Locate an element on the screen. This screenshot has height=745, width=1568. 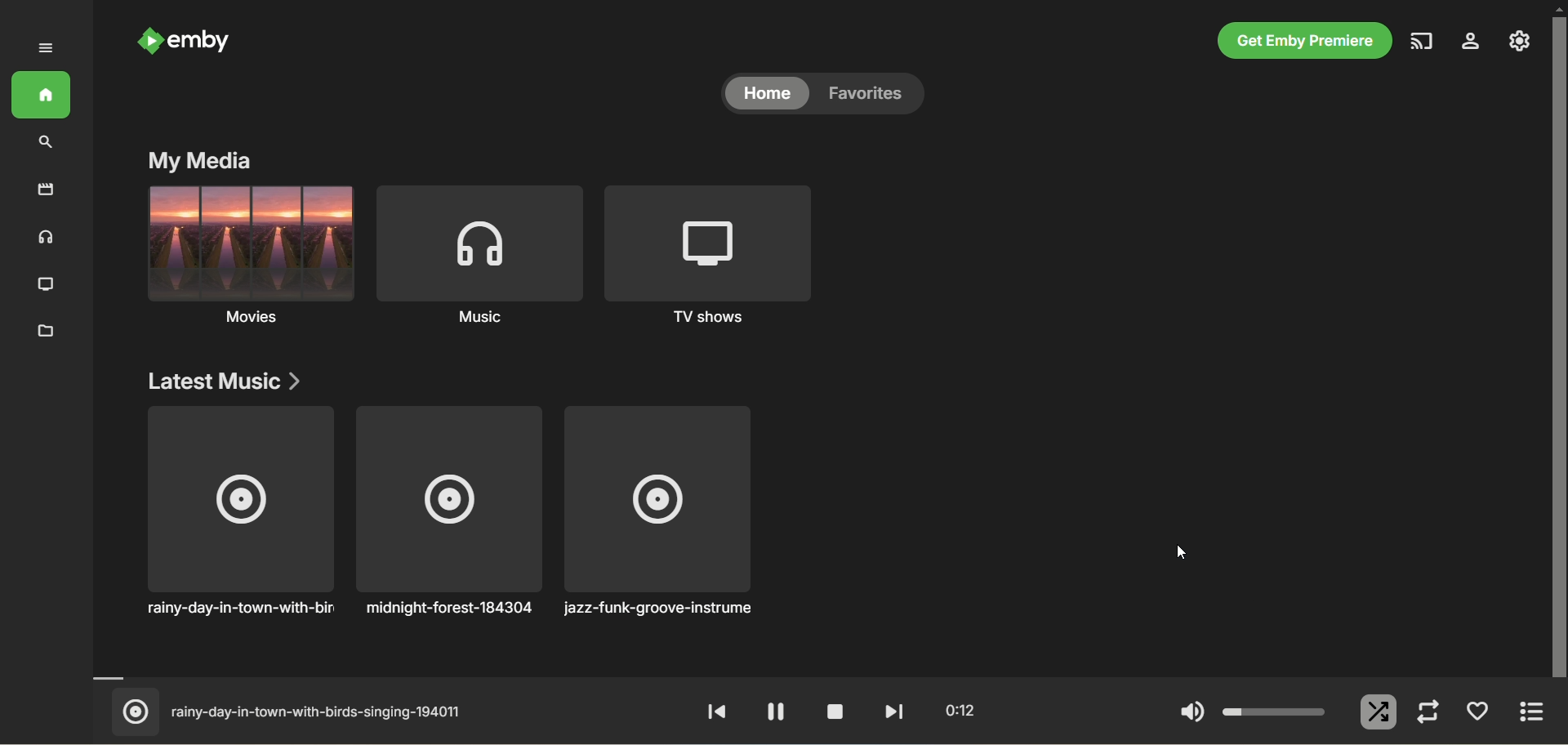
fast forward is located at coordinates (893, 713).